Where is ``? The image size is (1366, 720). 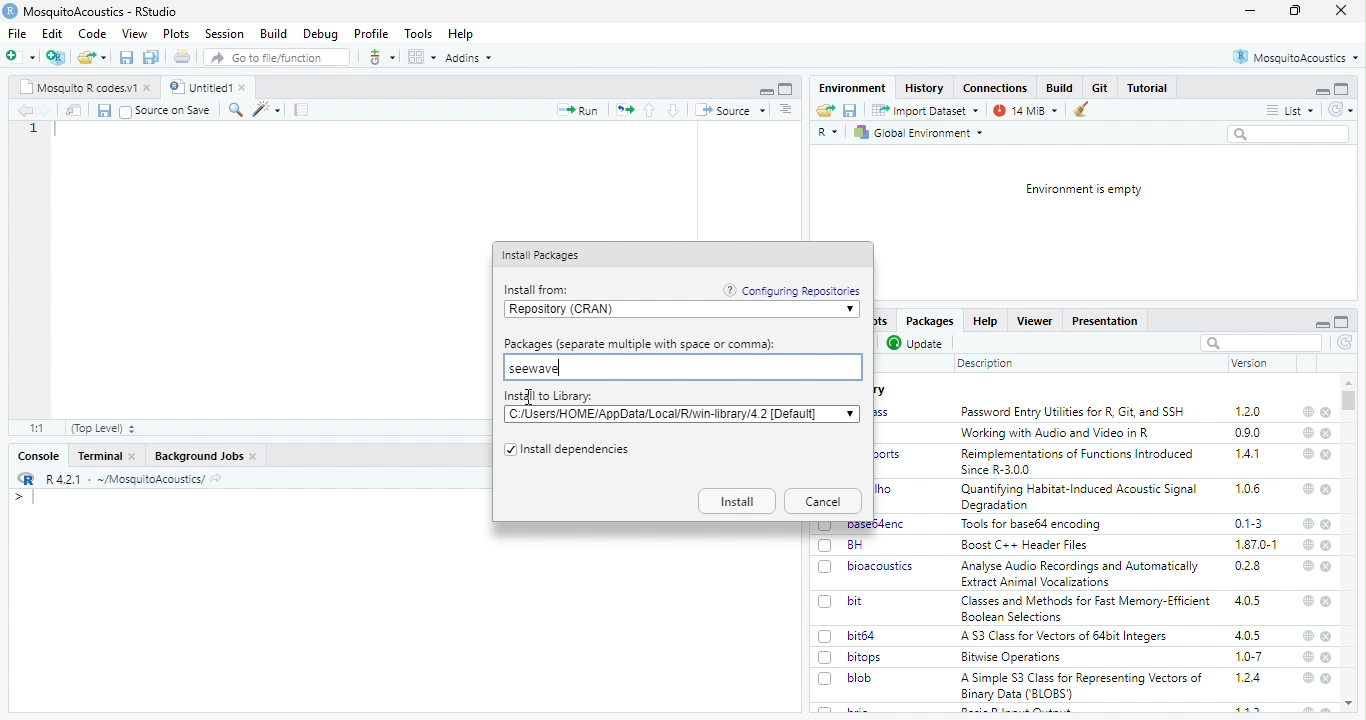
 is located at coordinates (1062, 87).